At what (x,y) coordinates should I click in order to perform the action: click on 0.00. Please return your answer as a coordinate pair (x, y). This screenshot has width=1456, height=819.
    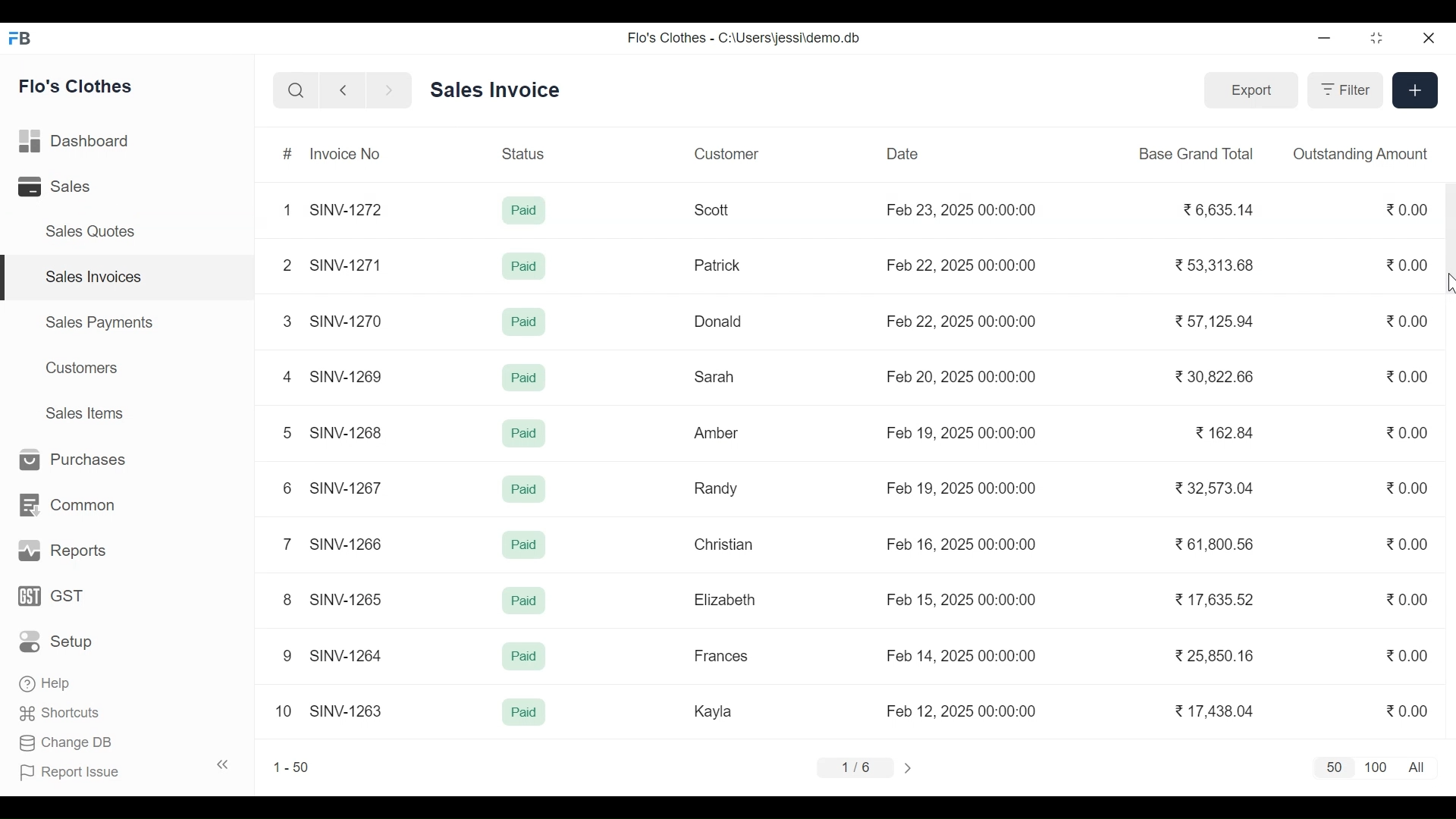
    Looking at the image, I should click on (1406, 209).